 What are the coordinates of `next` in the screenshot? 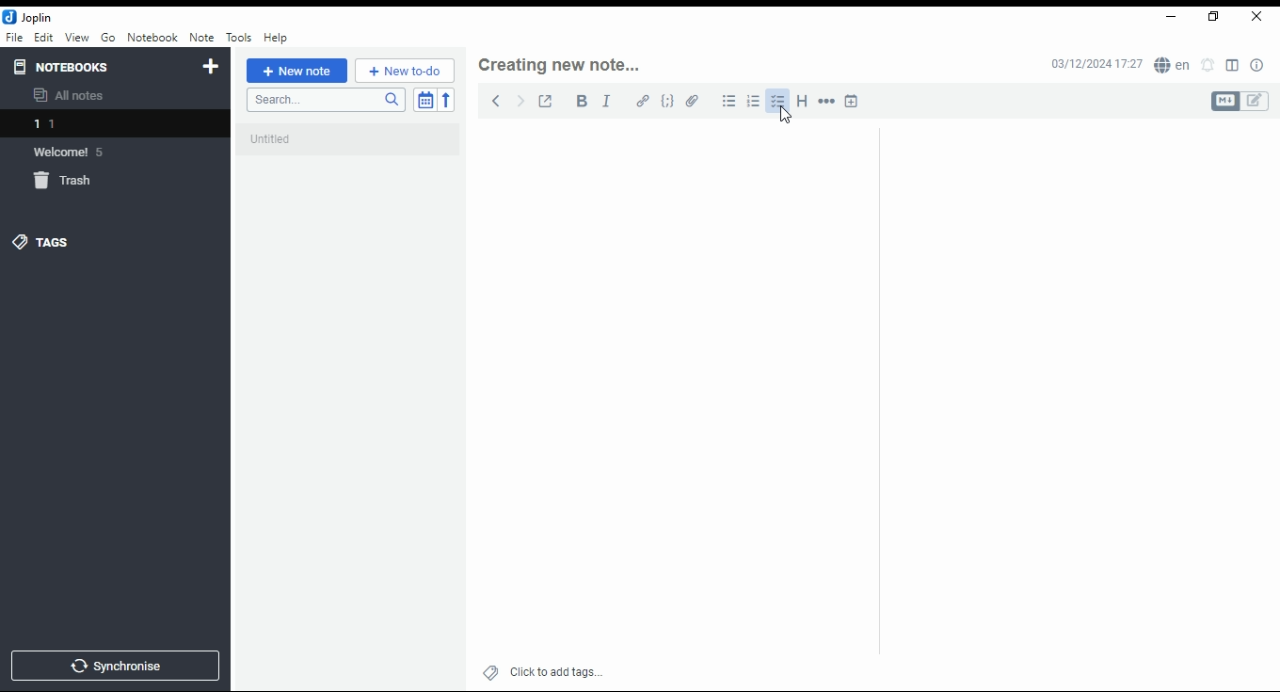 It's located at (520, 100).